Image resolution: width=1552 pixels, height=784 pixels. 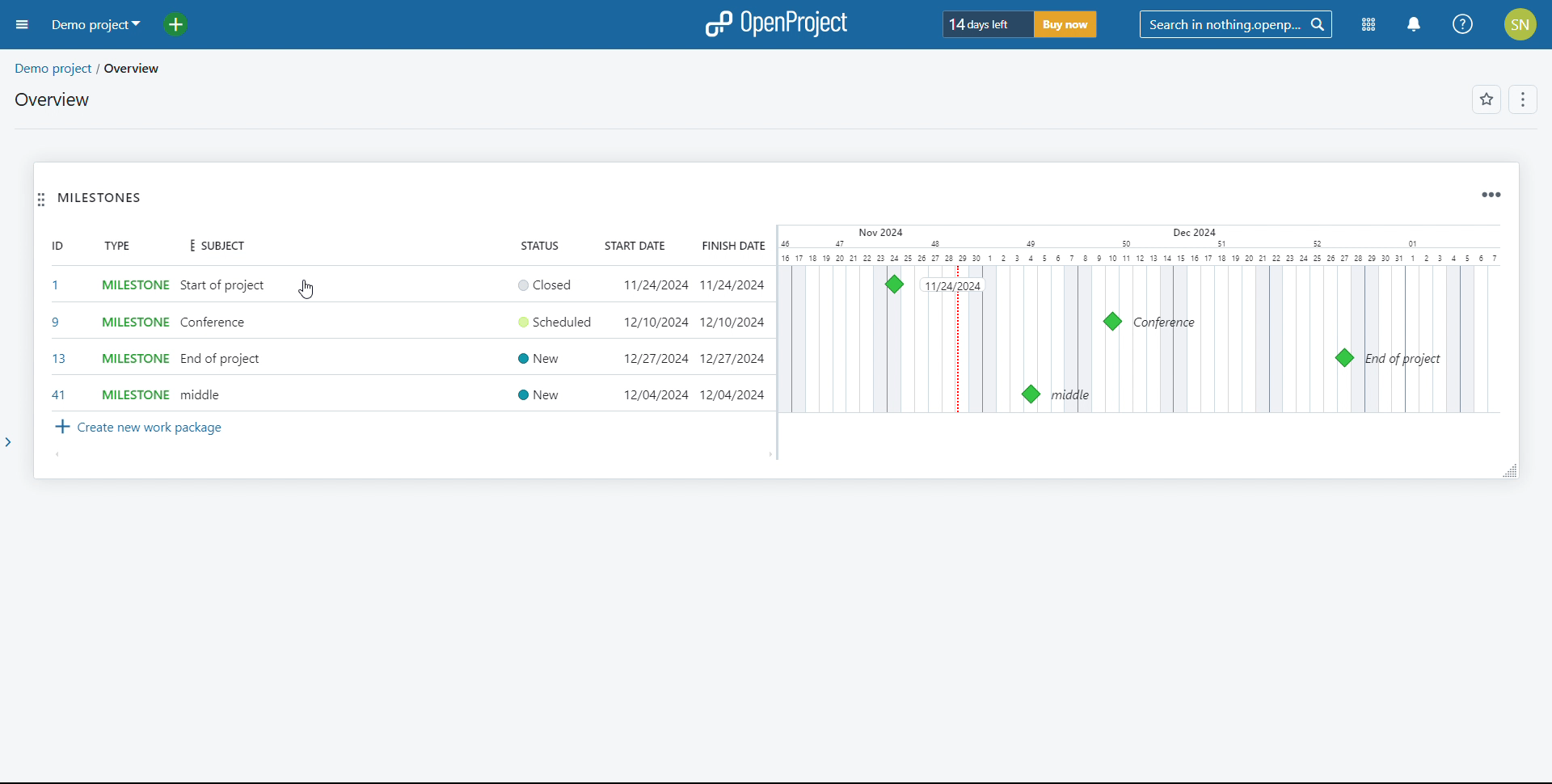 I want to click on finish date, so click(x=732, y=247).